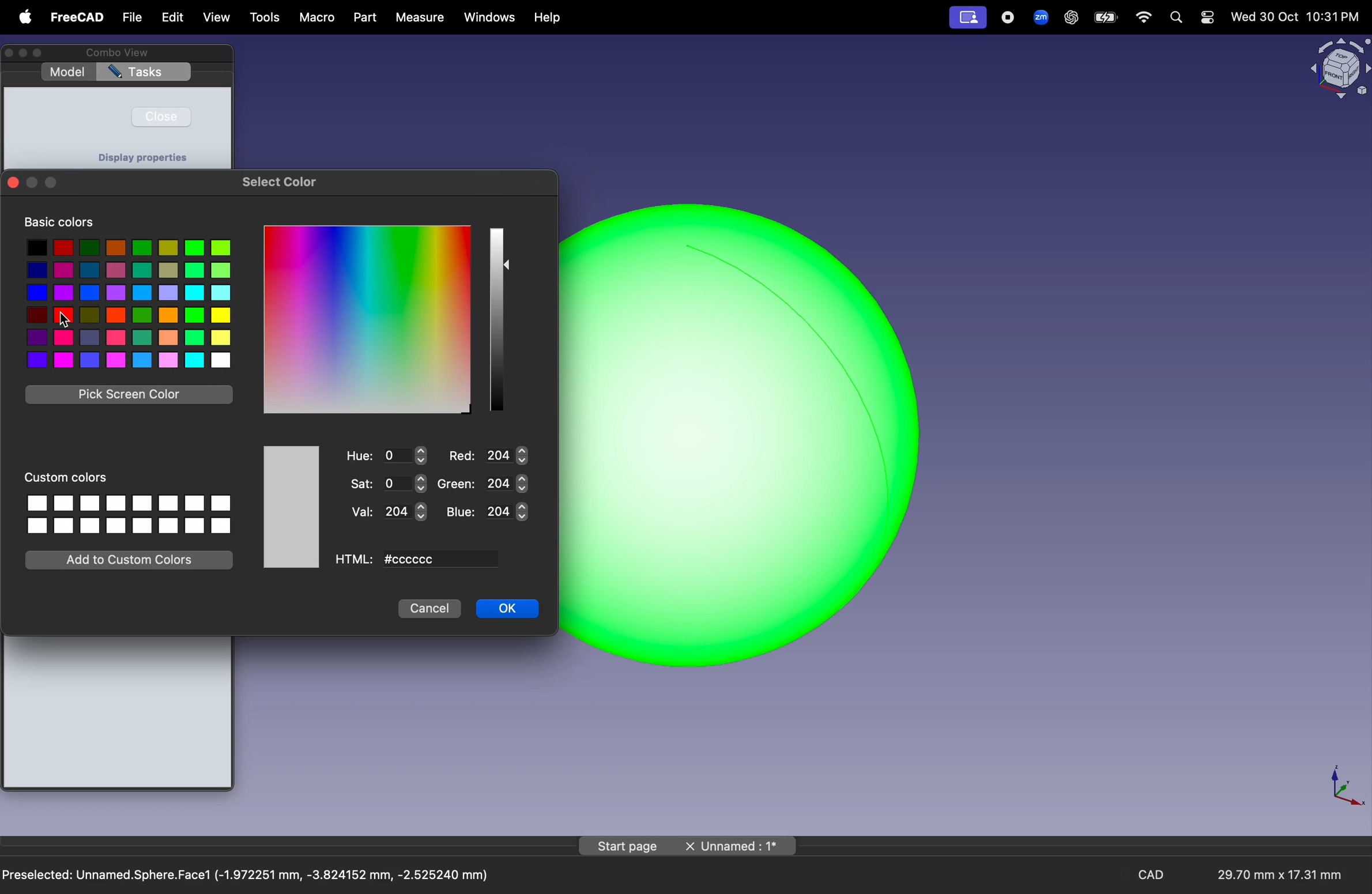 Image resolution: width=1372 pixels, height=894 pixels. I want to click on zoom, so click(1038, 16).